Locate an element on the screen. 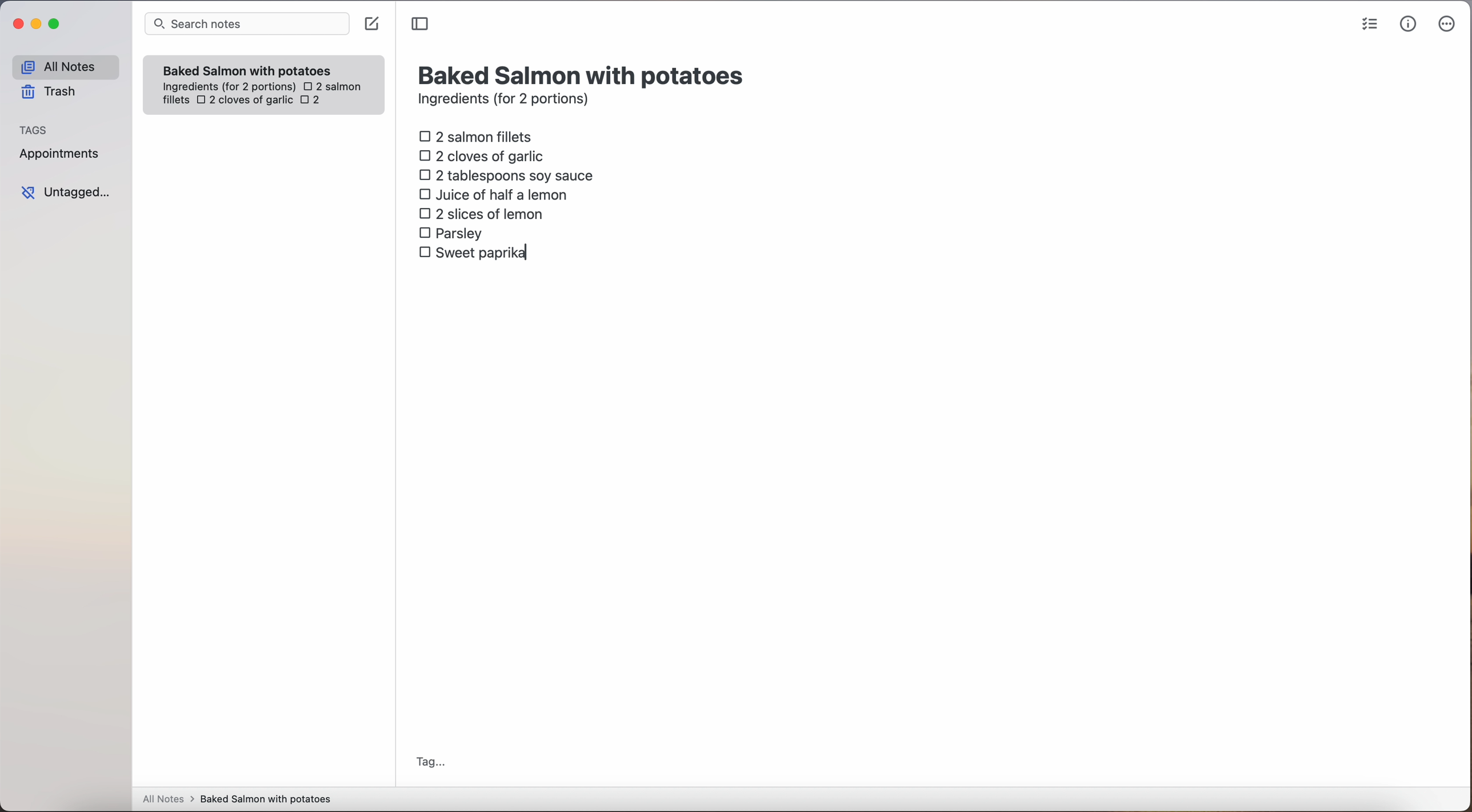  search bar is located at coordinates (246, 25).